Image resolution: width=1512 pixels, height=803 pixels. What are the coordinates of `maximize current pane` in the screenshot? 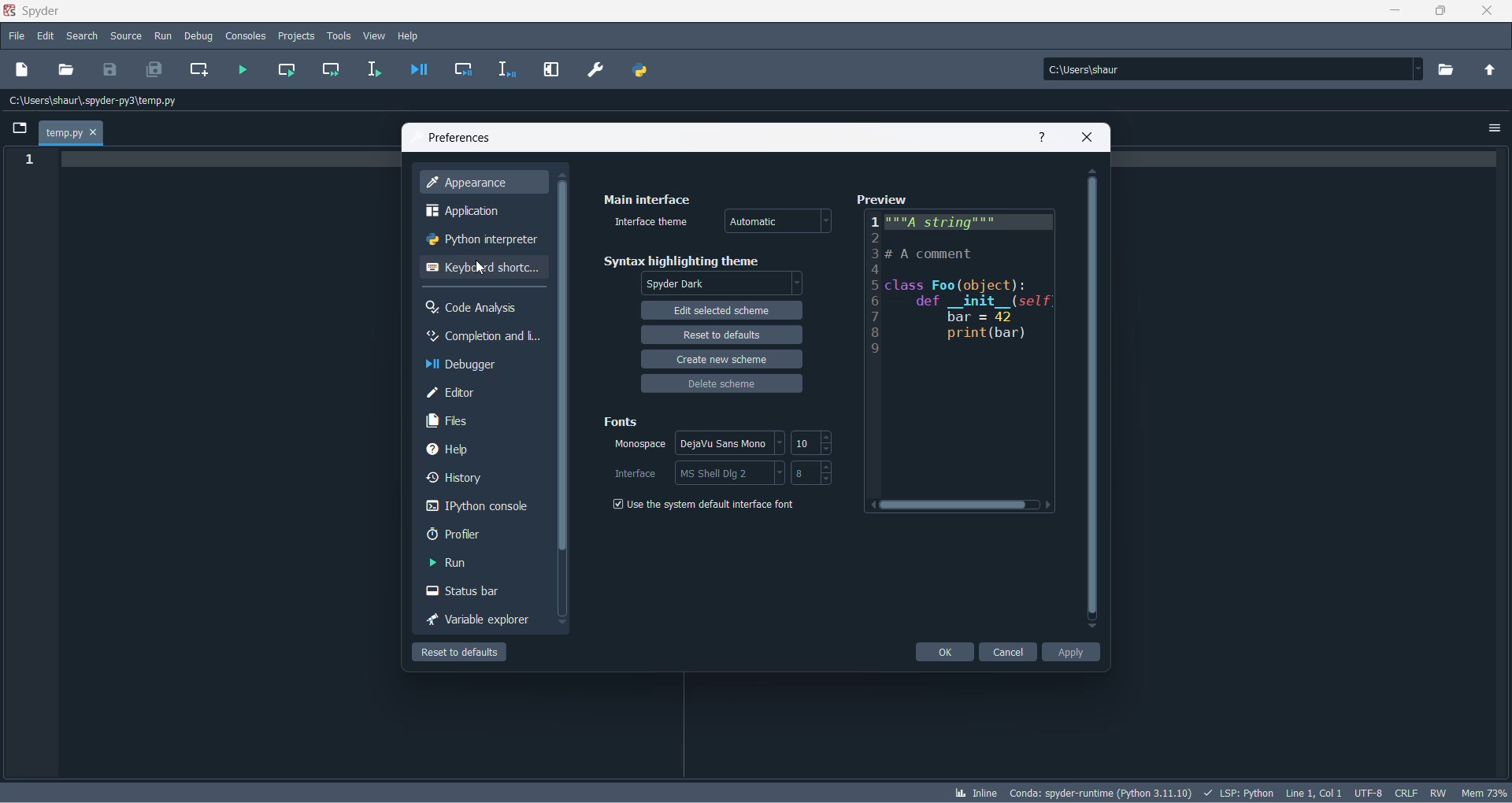 It's located at (552, 70).